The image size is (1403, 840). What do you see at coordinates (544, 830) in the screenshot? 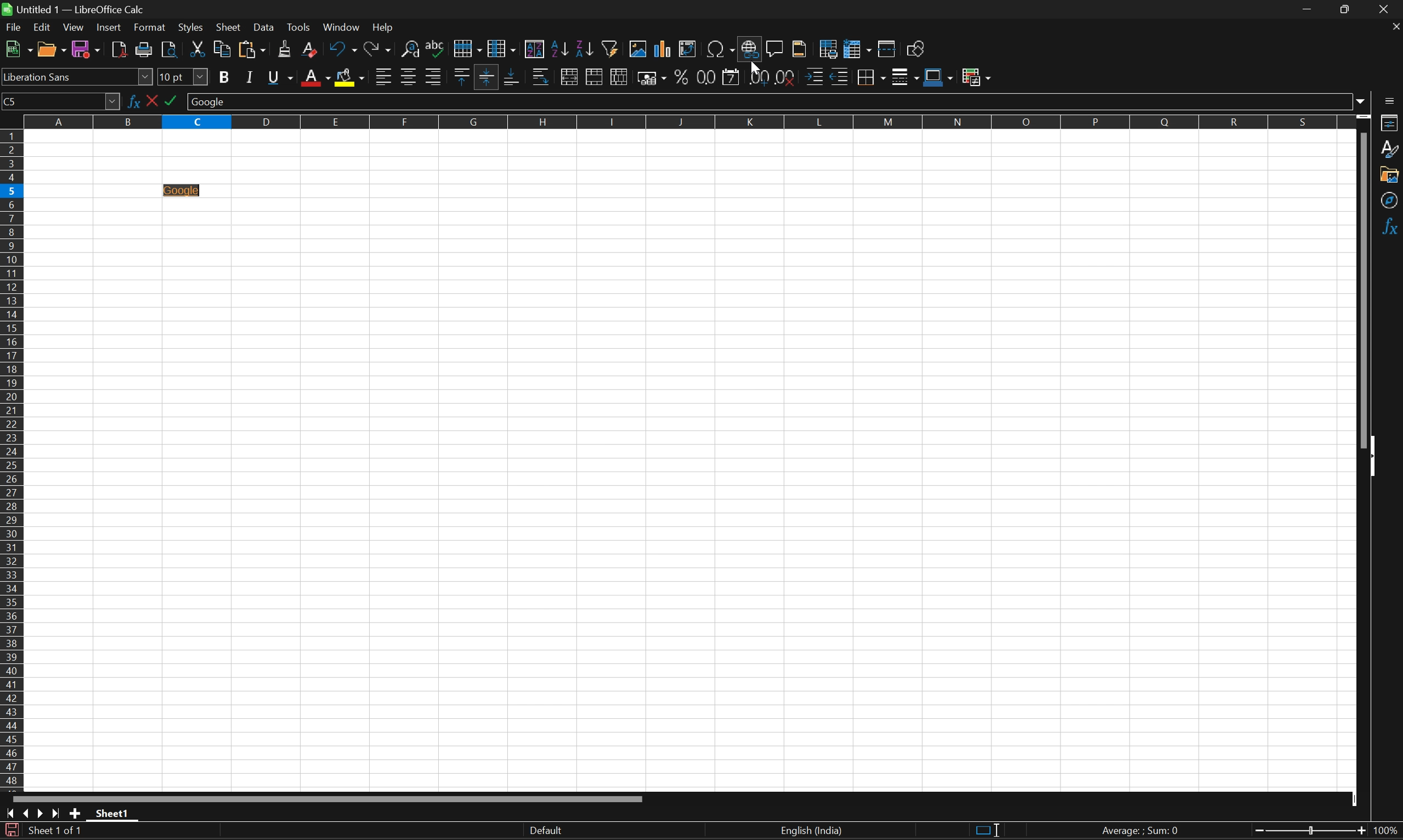
I see `Default` at bounding box center [544, 830].